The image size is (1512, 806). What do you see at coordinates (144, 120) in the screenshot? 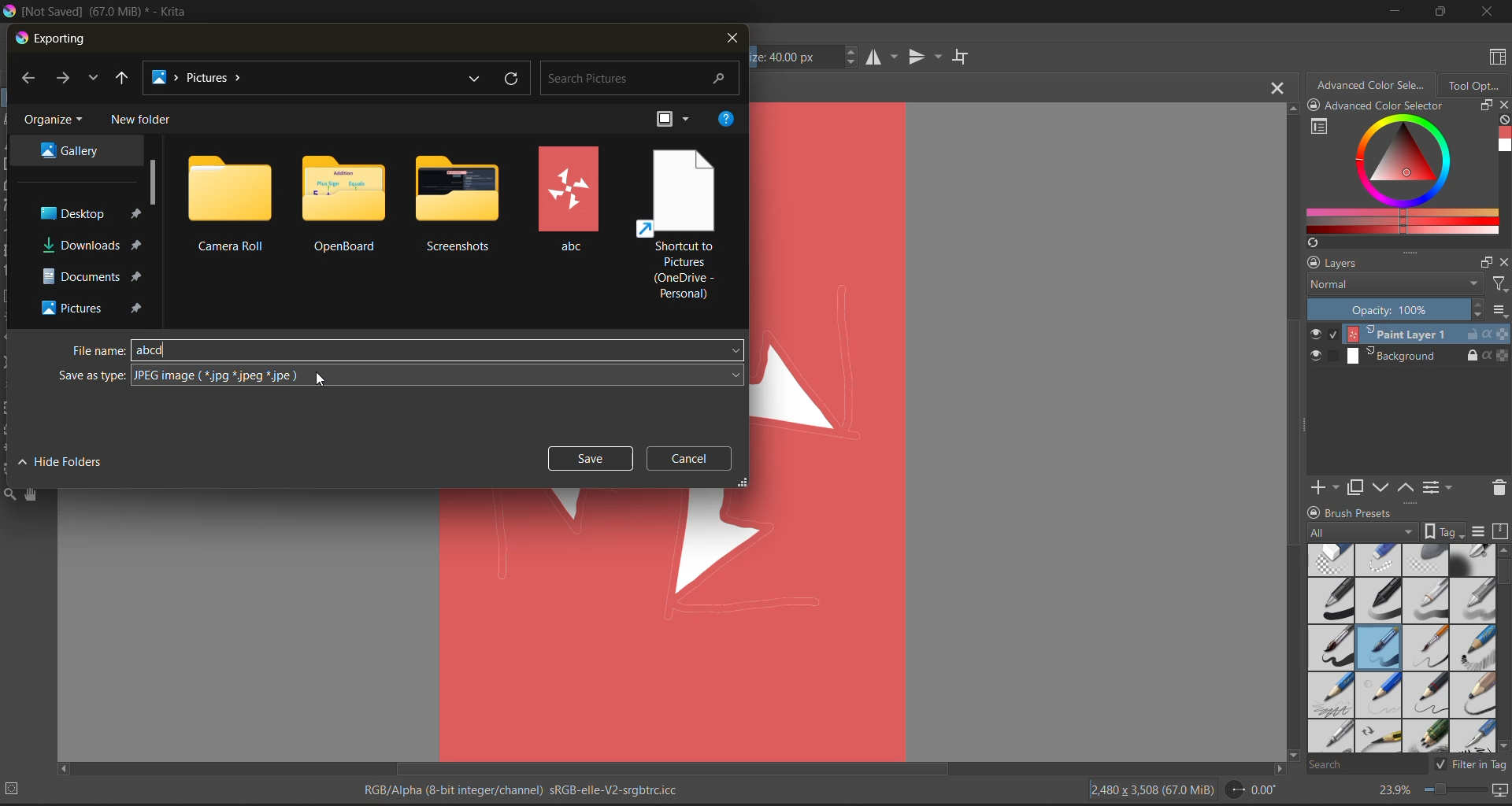
I see `new folder` at bounding box center [144, 120].